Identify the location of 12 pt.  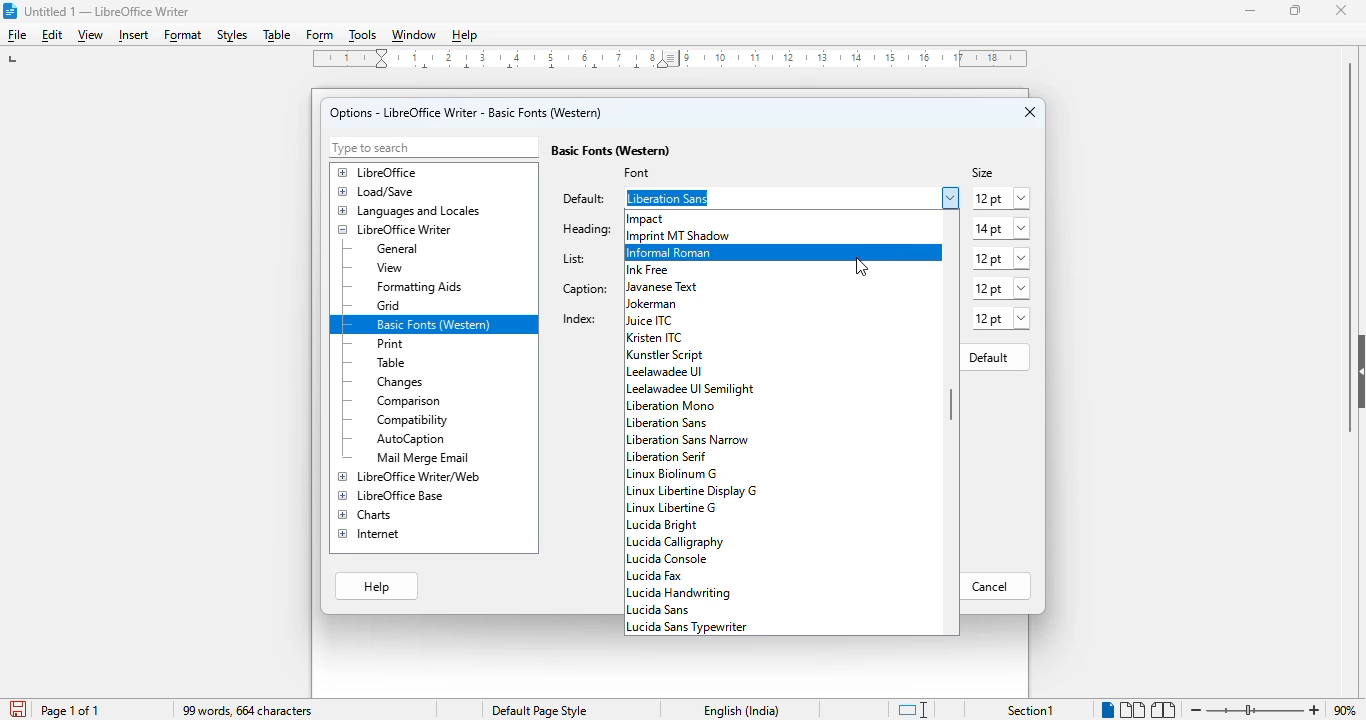
(1001, 318).